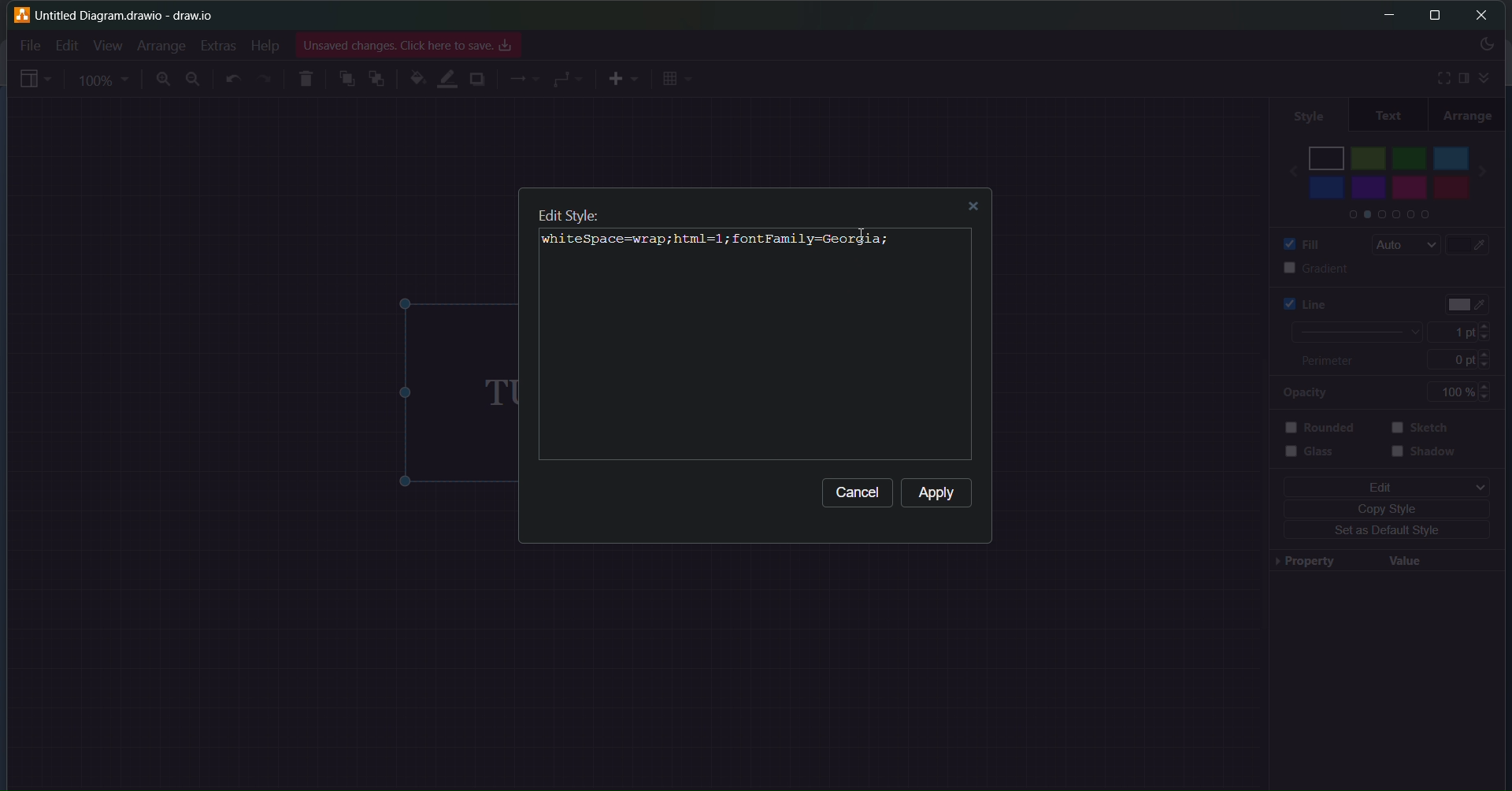 This screenshot has height=791, width=1512. I want to click on zoom out, so click(195, 79).